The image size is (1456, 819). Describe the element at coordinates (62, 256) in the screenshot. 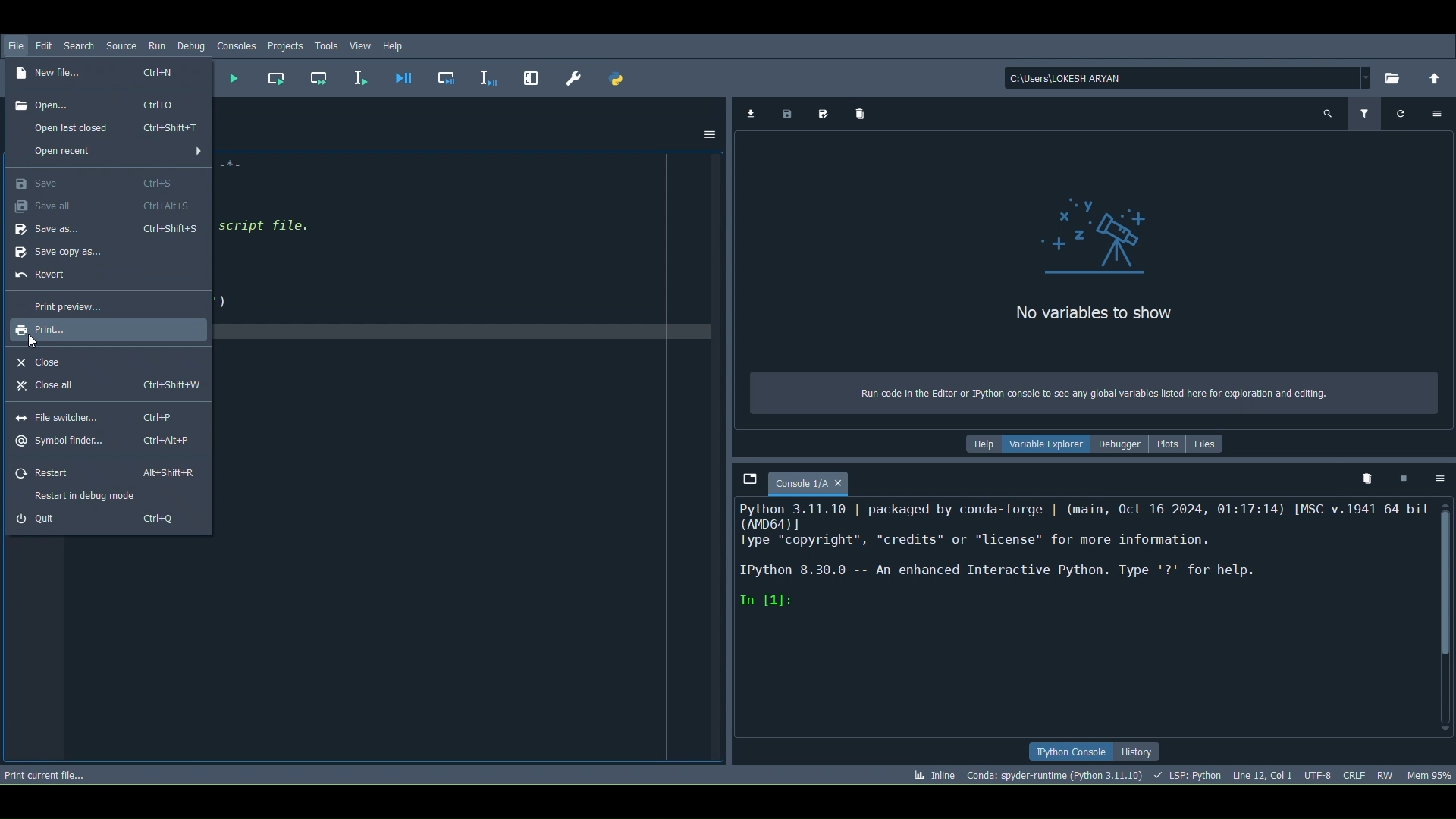

I see `Save copy as` at that location.